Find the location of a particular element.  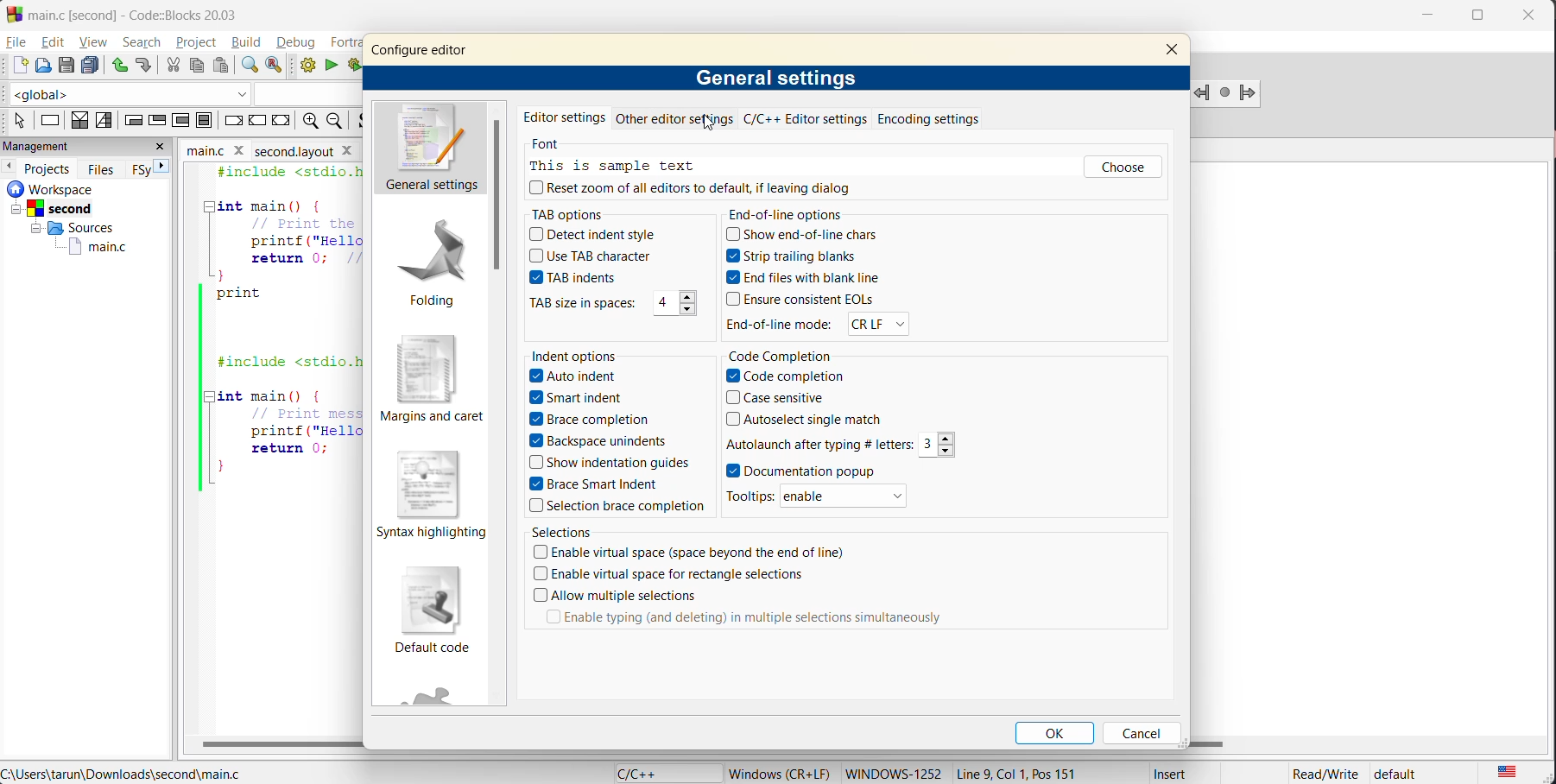

second.layout is located at coordinates (292, 151).